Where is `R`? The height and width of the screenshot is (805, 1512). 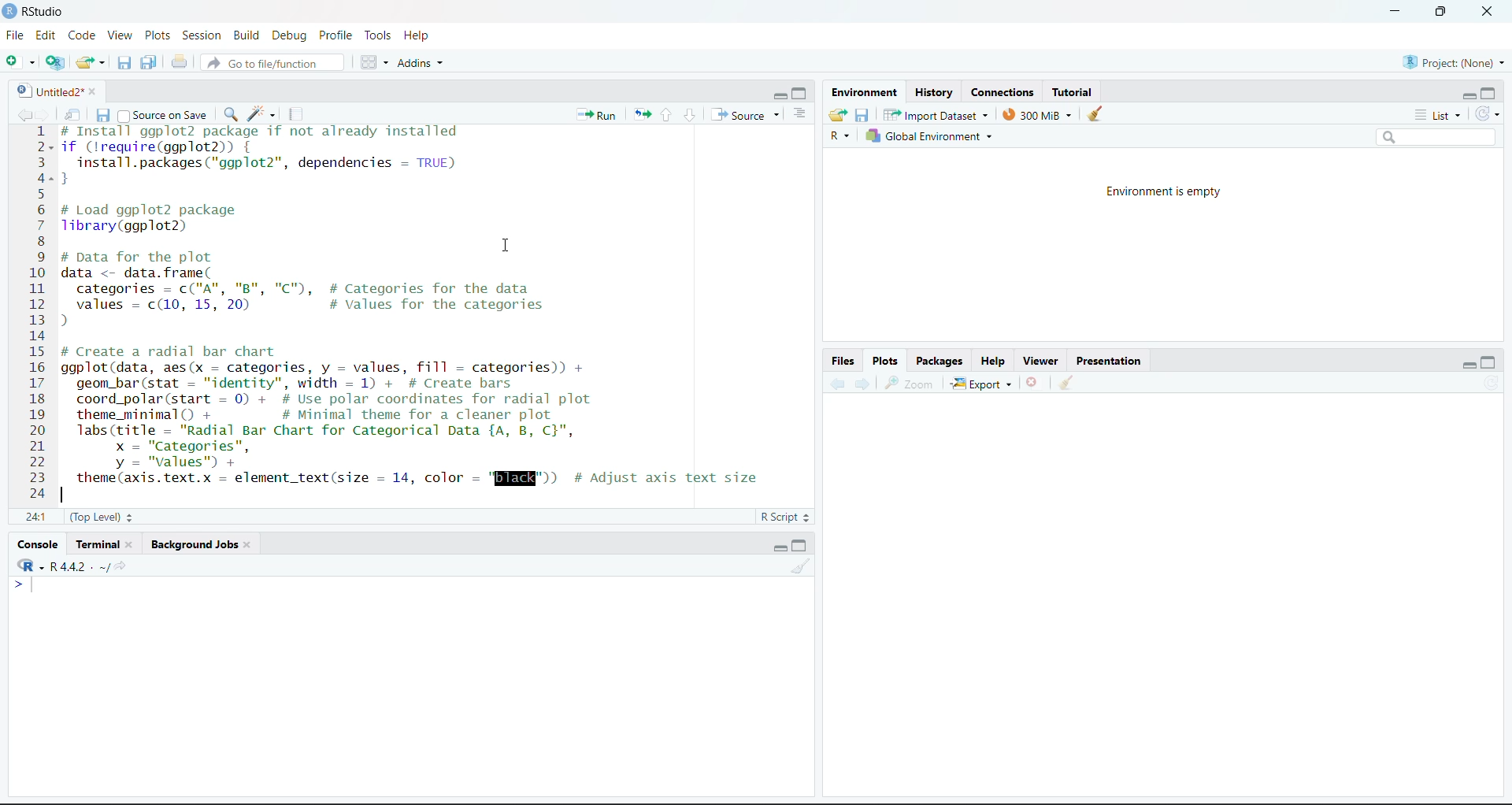 R is located at coordinates (838, 136).